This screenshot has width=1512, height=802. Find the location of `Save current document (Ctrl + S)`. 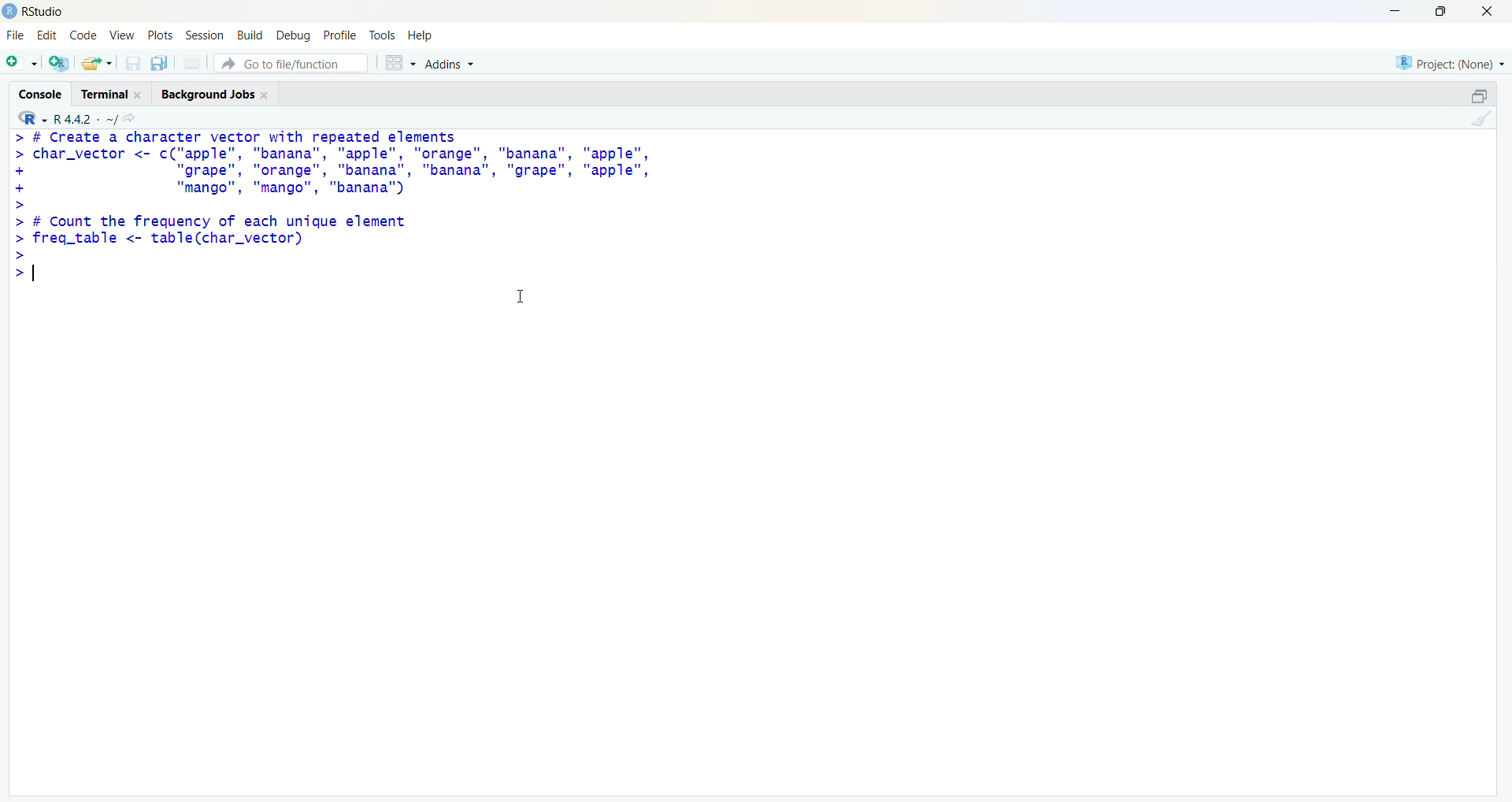

Save current document (Ctrl + S) is located at coordinates (132, 63).